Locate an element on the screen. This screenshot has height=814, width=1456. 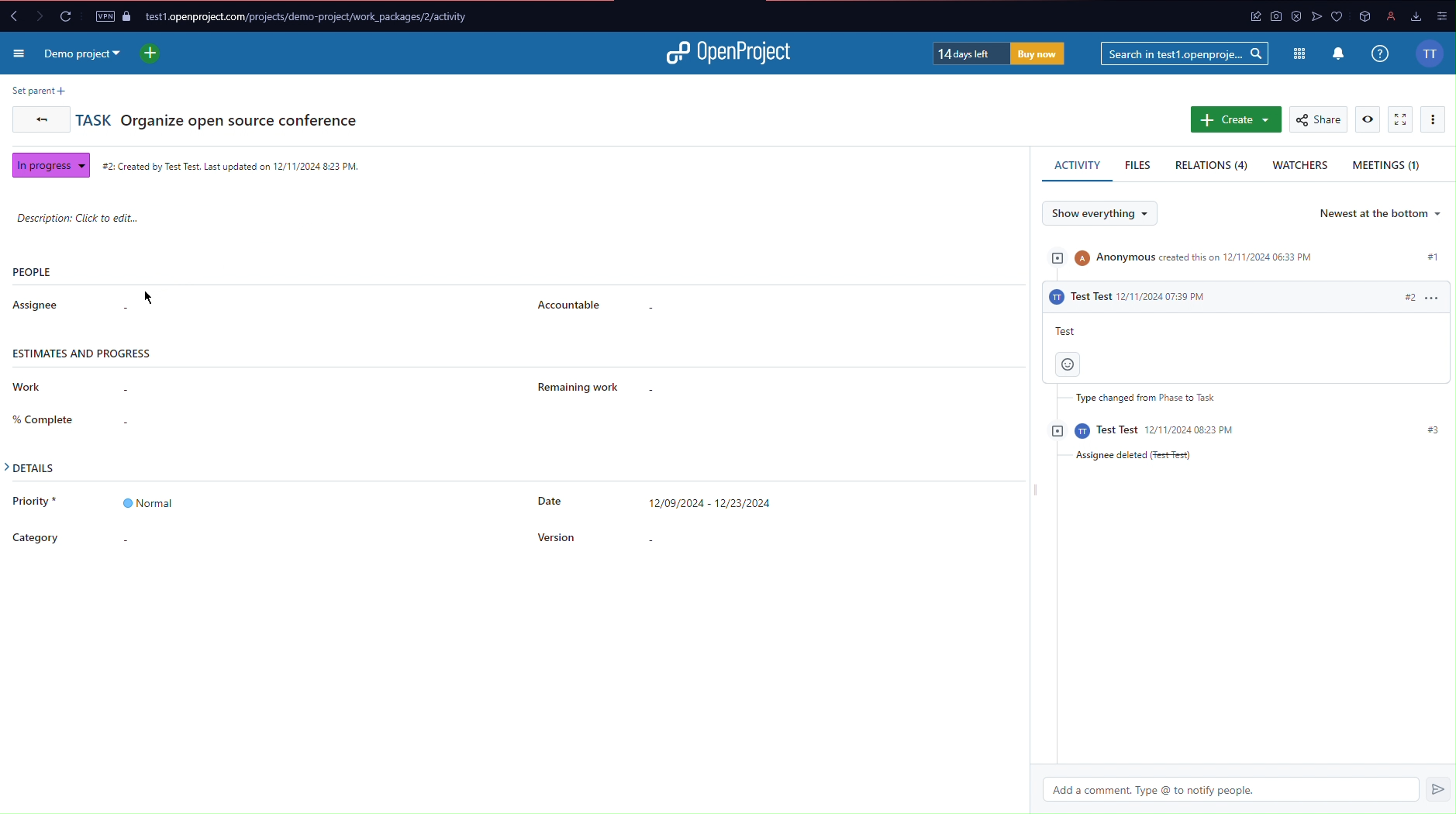
Type changed from Phase to task is located at coordinates (1136, 398).